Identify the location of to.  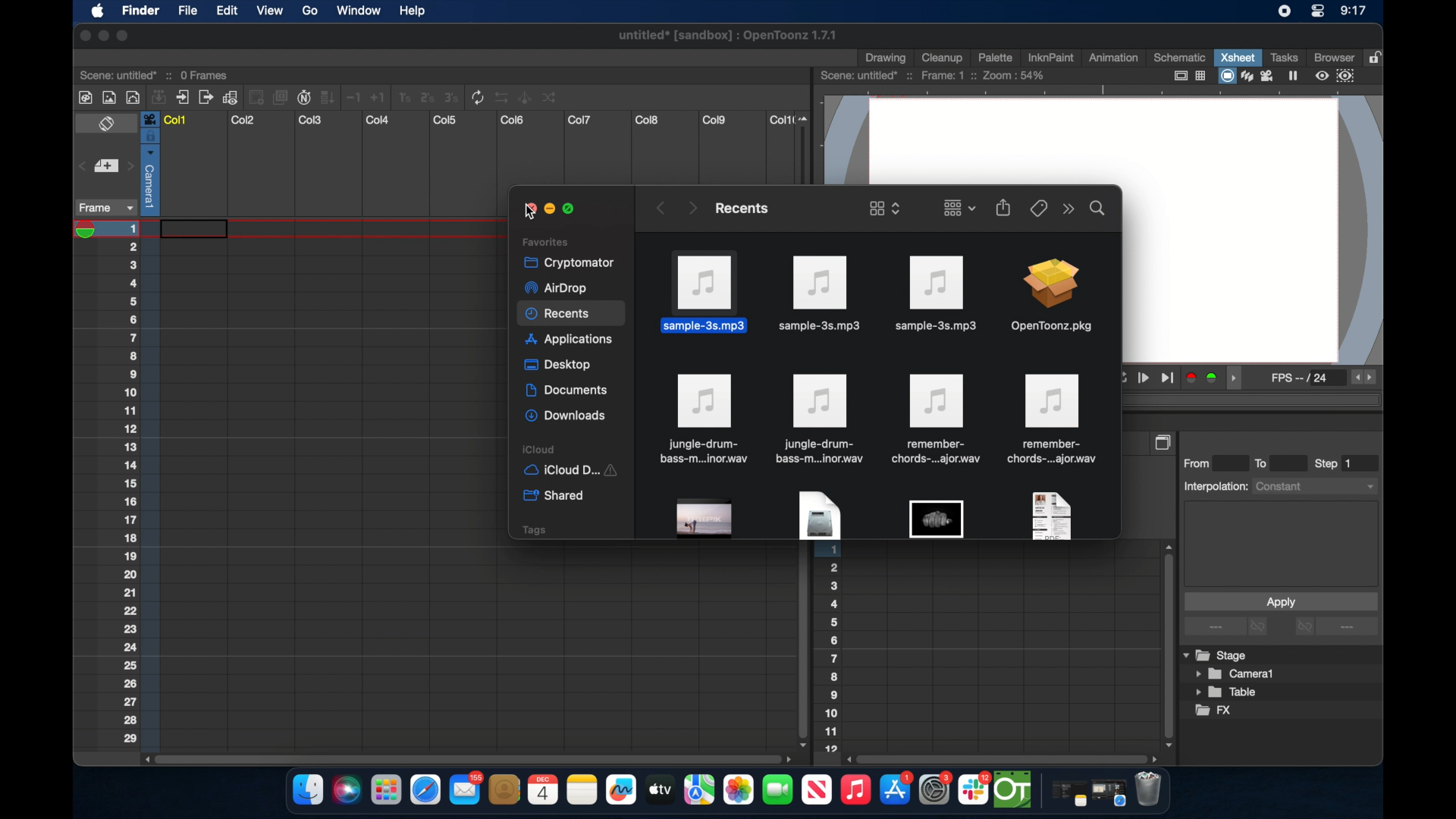
(1266, 463).